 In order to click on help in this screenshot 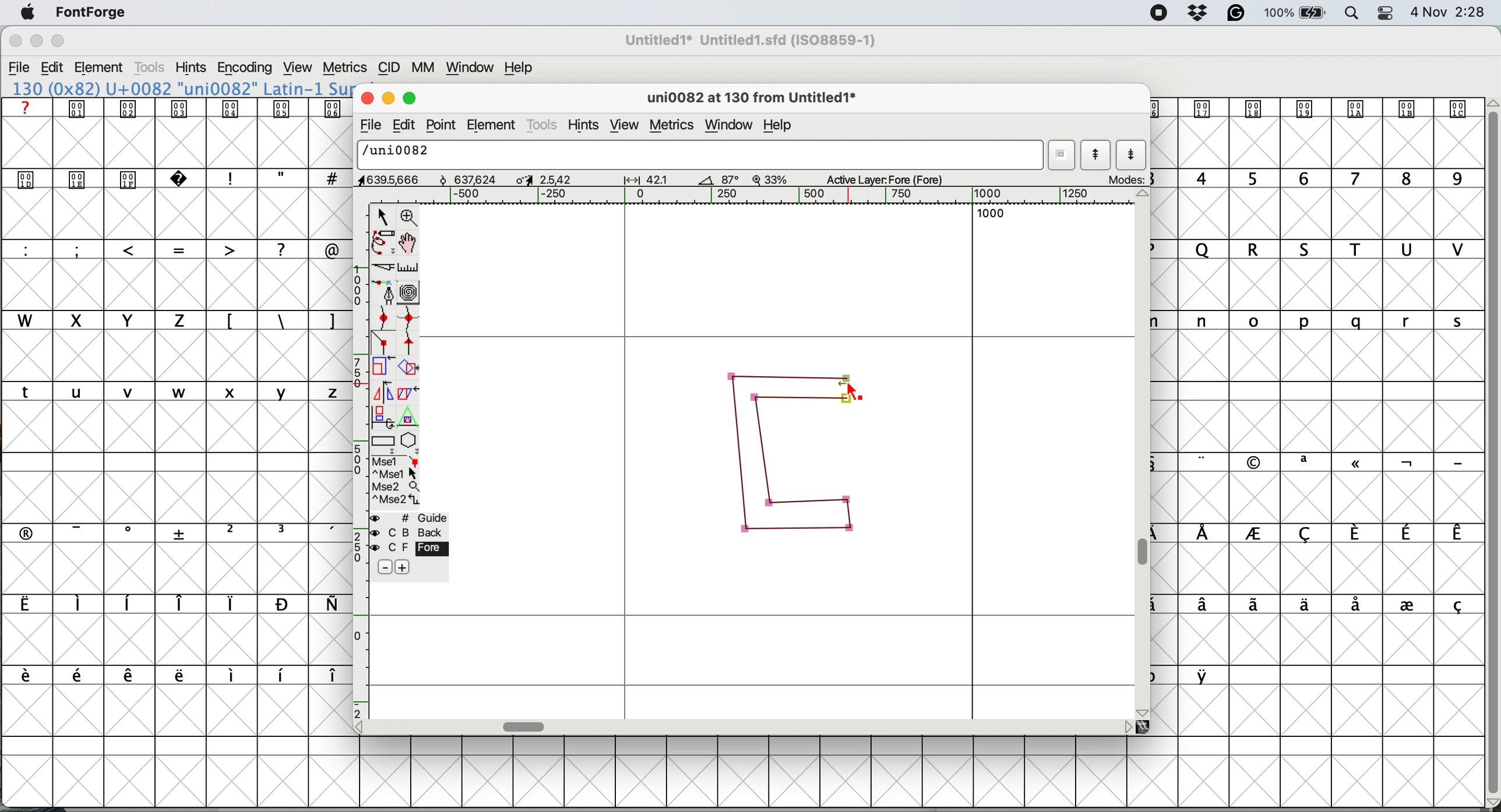, I will do `click(522, 68)`.